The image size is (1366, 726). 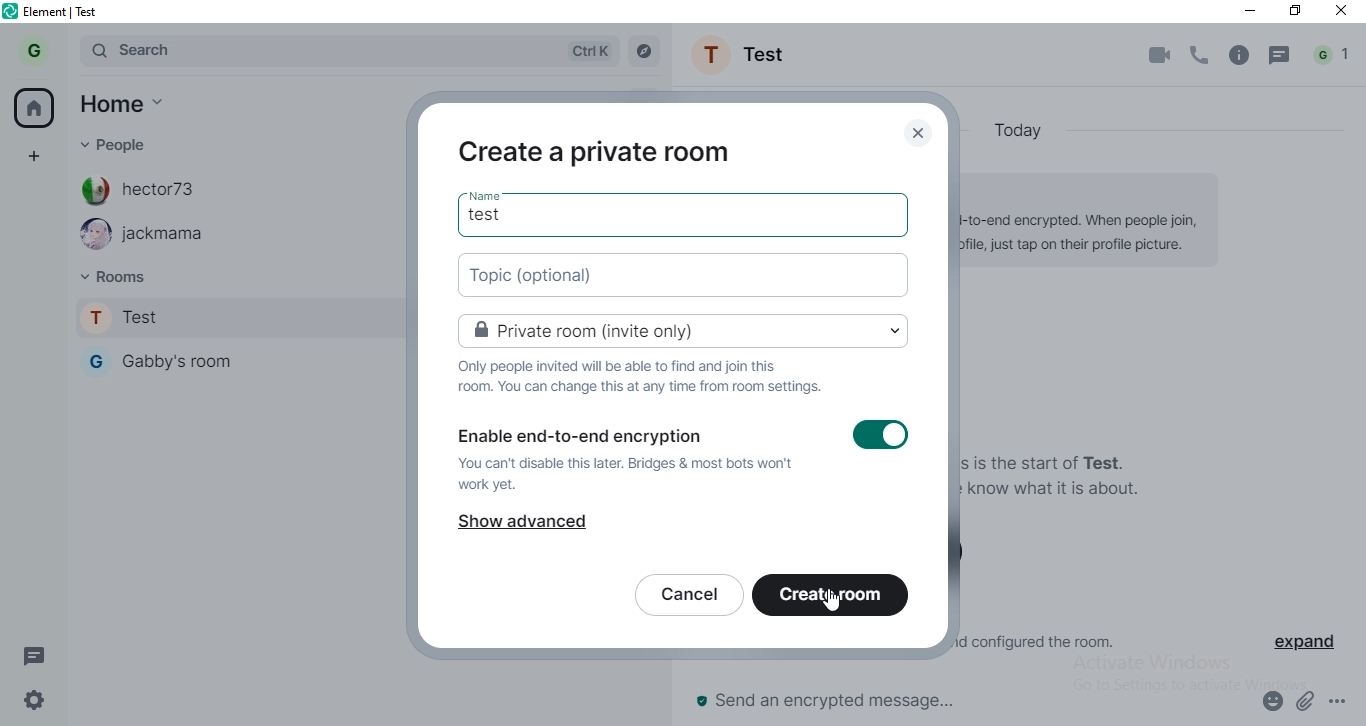 I want to click on video call, so click(x=1162, y=56).